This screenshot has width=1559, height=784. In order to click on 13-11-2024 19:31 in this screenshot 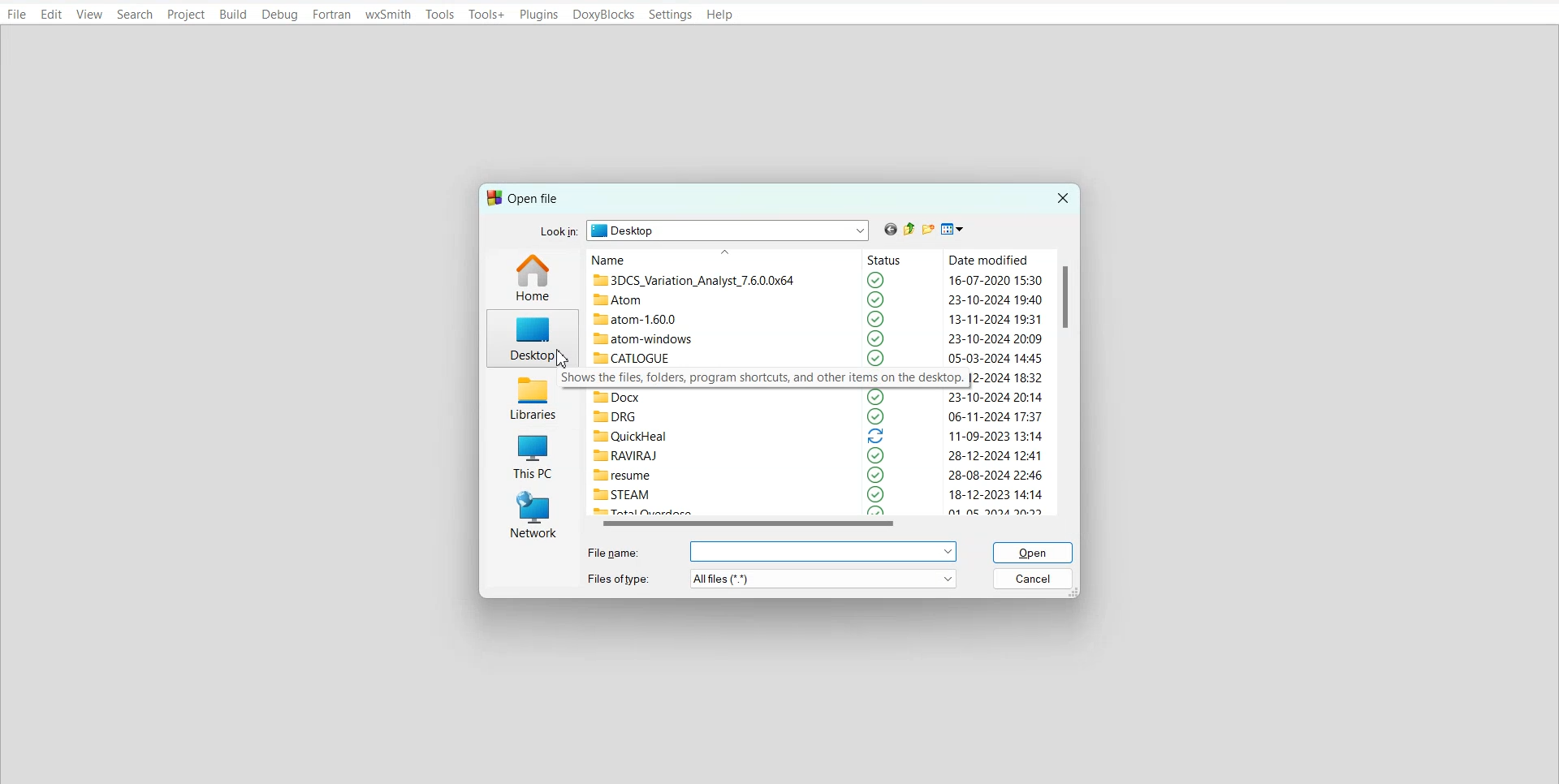, I will do `click(993, 319)`.